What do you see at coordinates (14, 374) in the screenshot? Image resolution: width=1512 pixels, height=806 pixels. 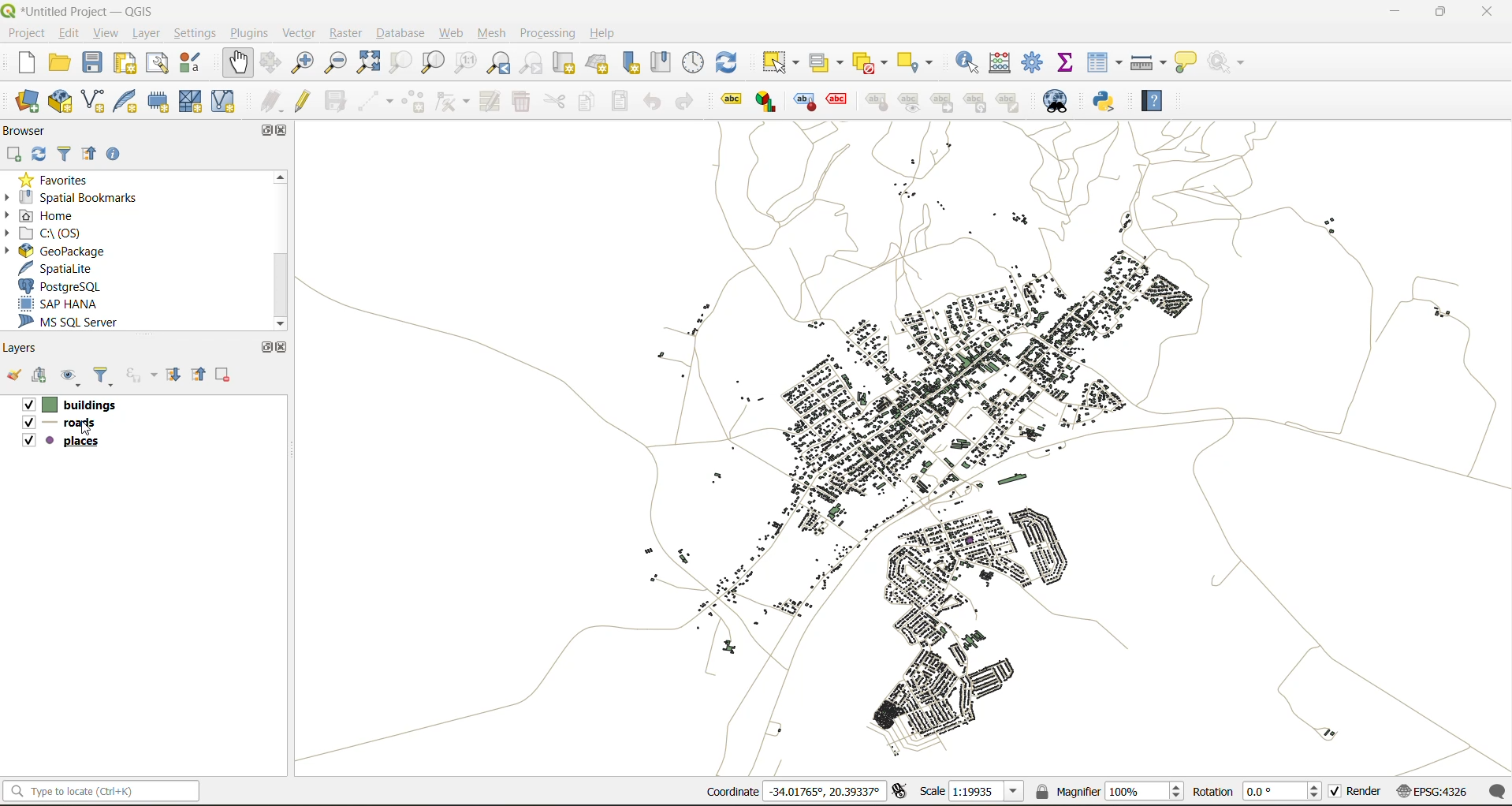 I see `open` at bounding box center [14, 374].